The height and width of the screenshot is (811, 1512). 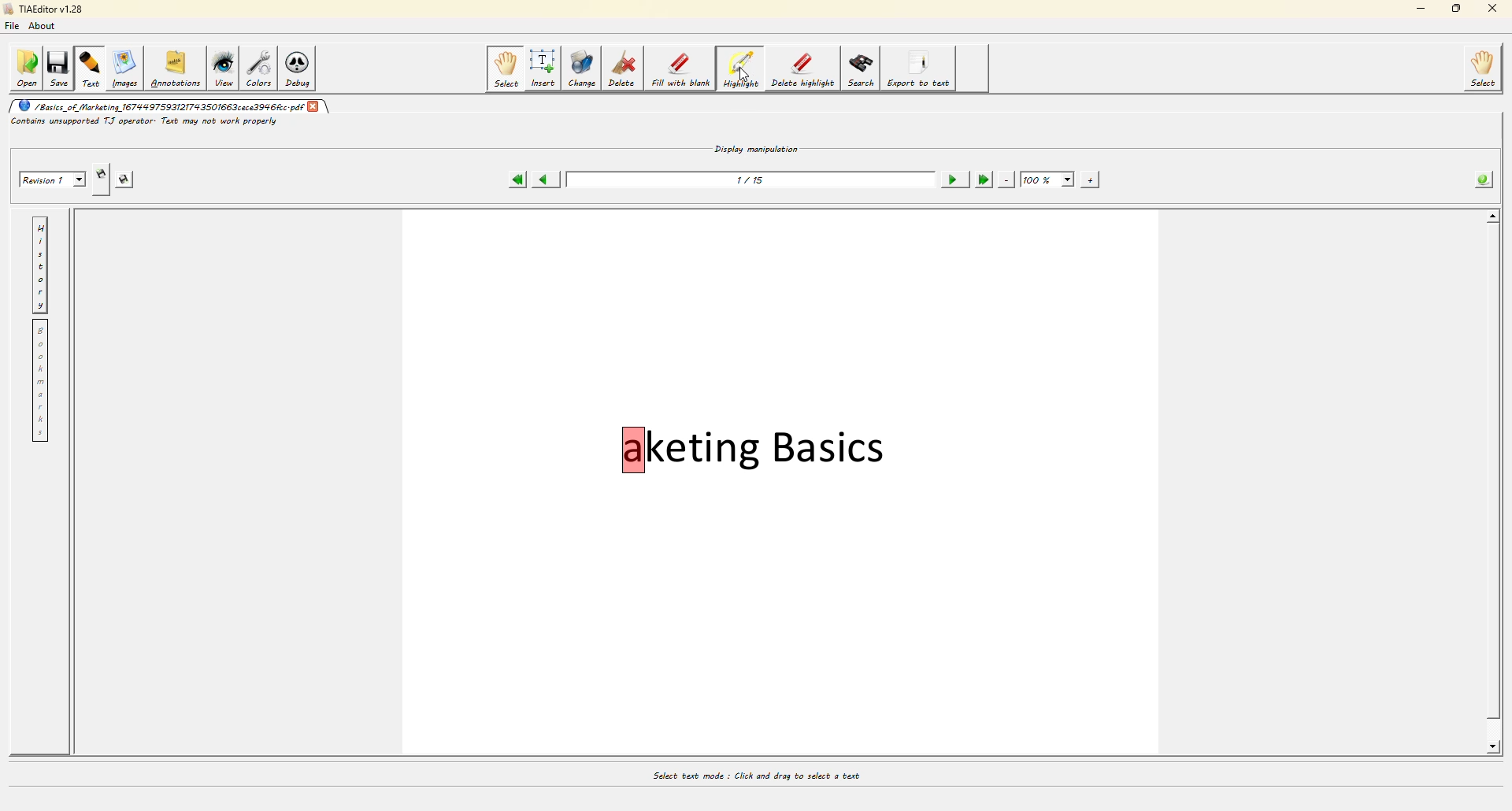 What do you see at coordinates (621, 69) in the screenshot?
I see `delete` at bounding box center [621, 69].